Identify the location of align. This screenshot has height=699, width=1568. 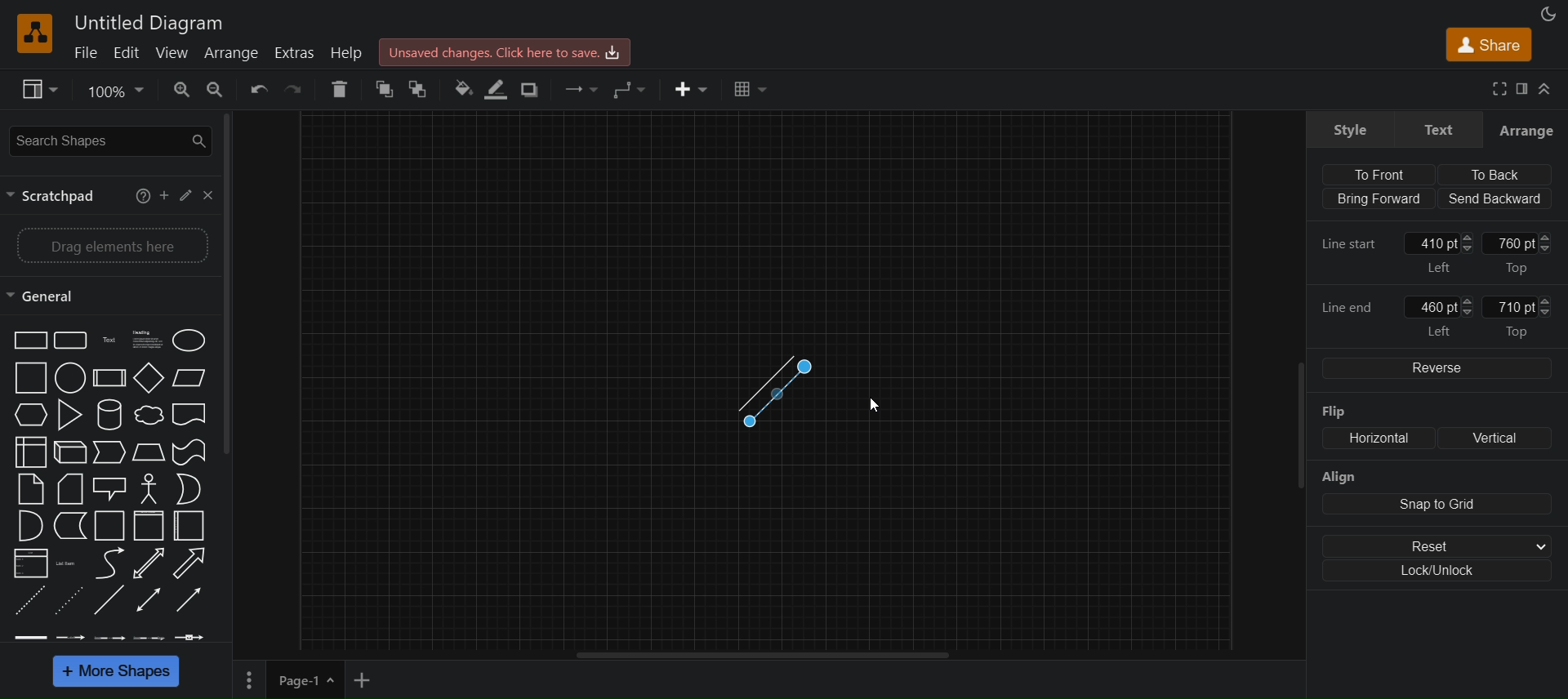
(1339, 478).